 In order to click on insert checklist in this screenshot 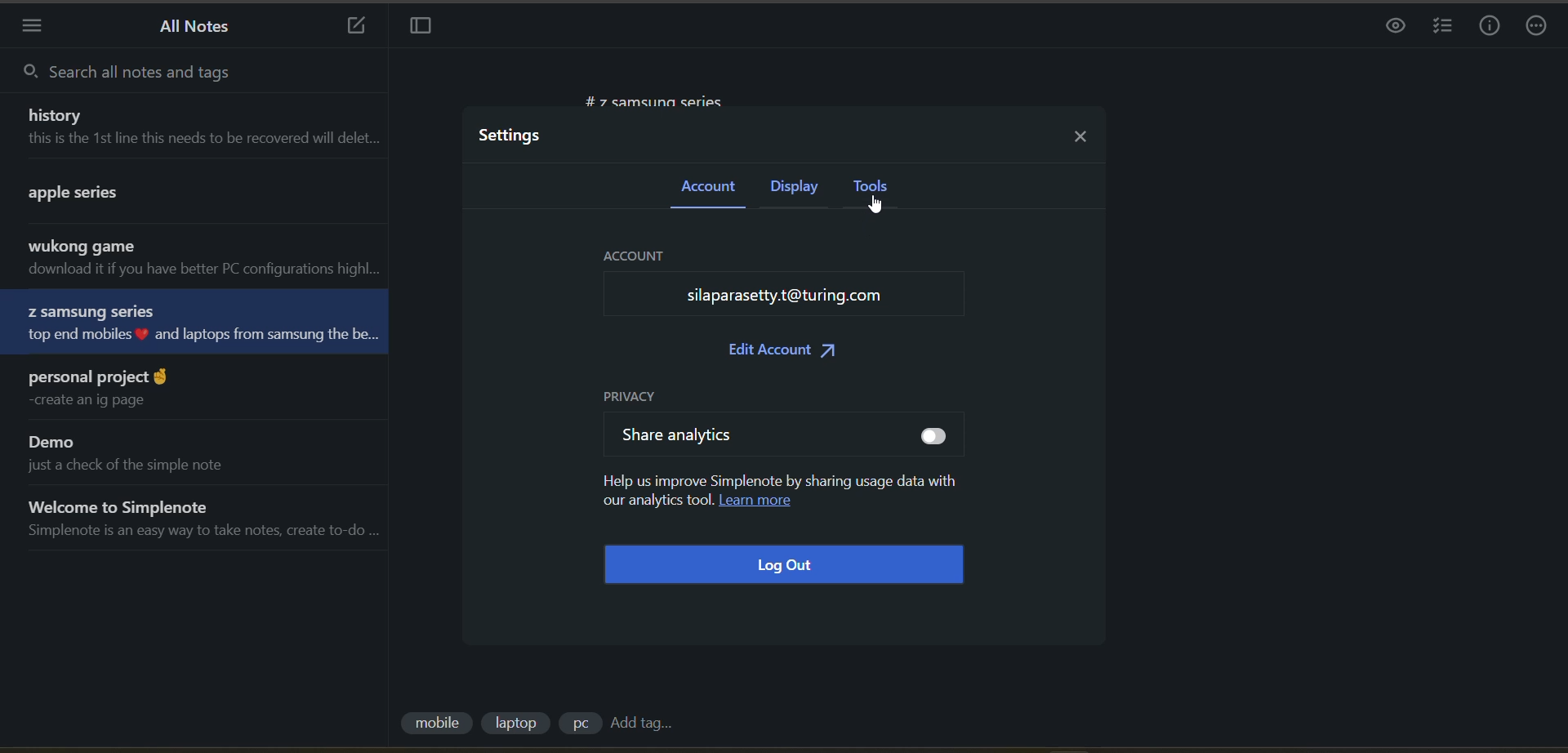, I will do `click(1445, 28)`.